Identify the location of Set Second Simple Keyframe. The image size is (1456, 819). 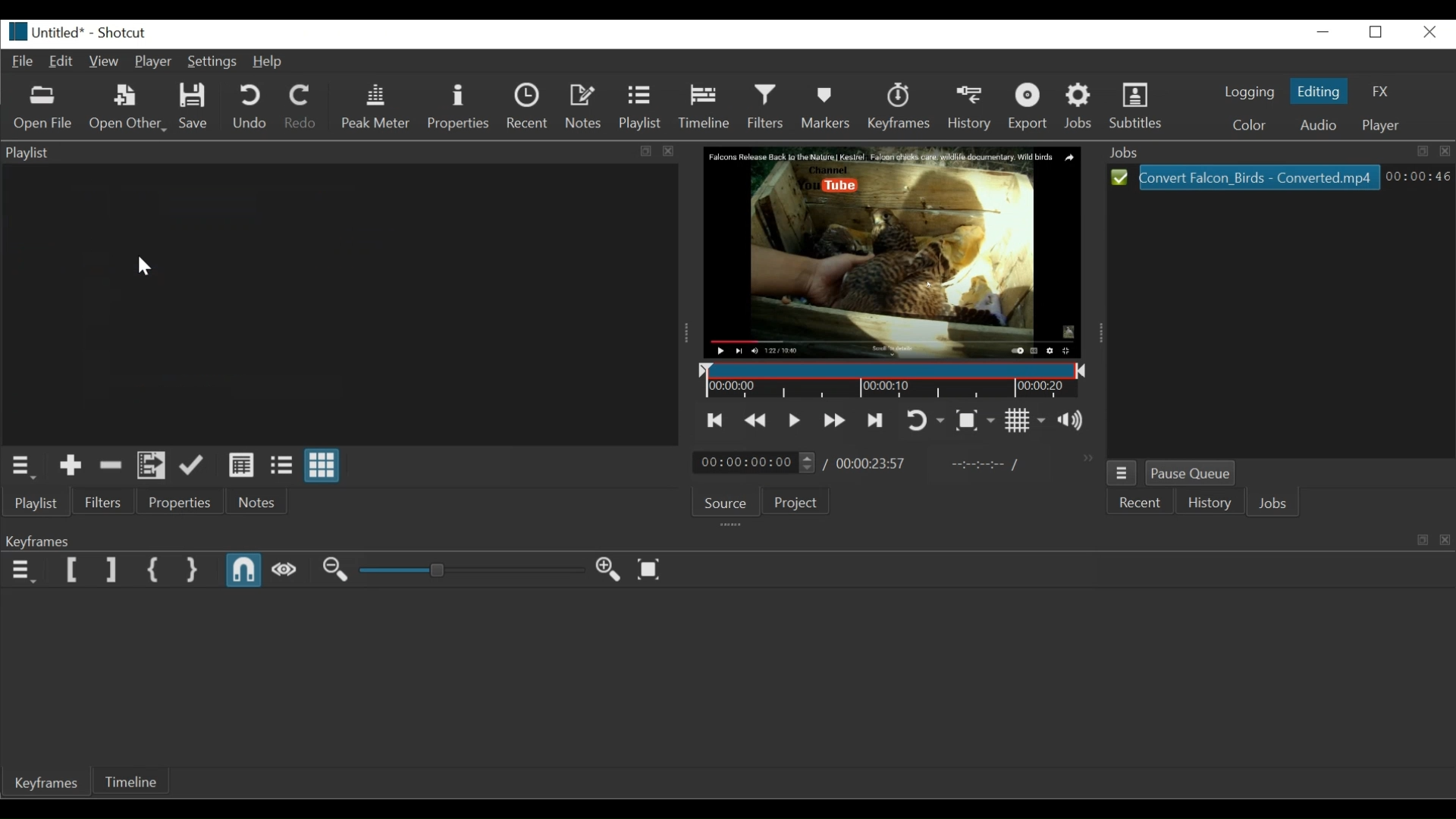
(193, 571).